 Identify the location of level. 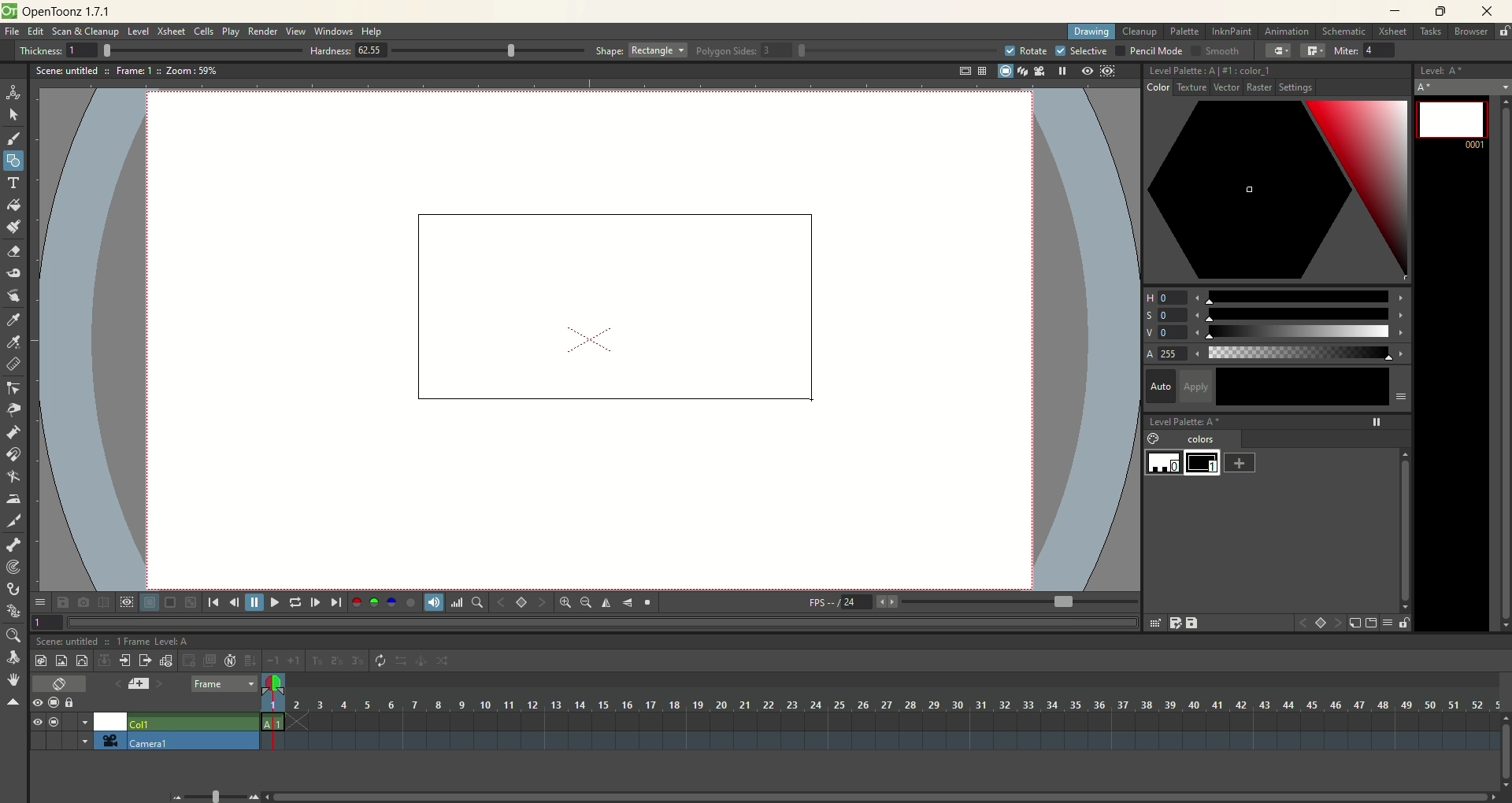
(139, 32).